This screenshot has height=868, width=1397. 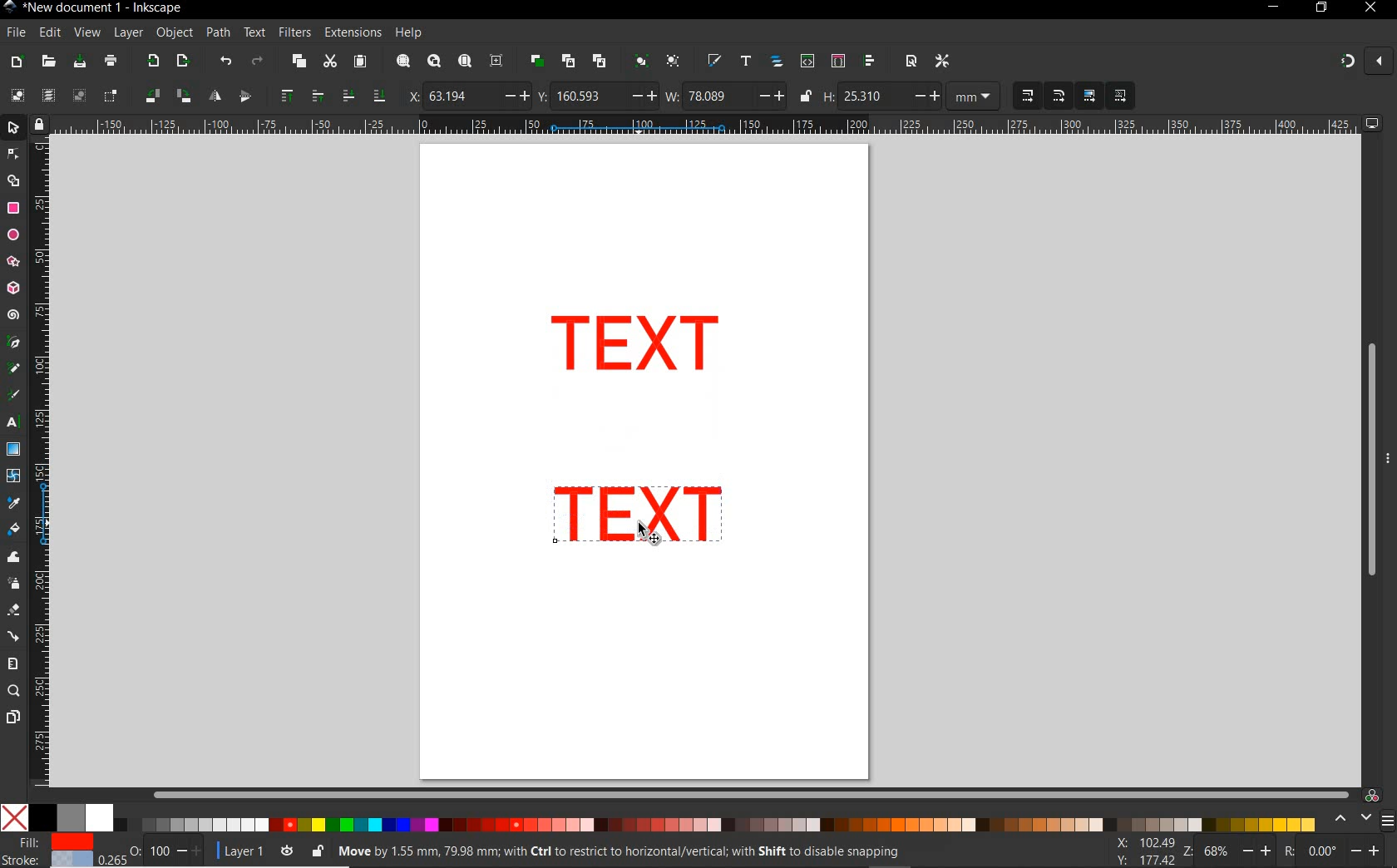 I want to click on no objects selected, so click(x=637, y=851).